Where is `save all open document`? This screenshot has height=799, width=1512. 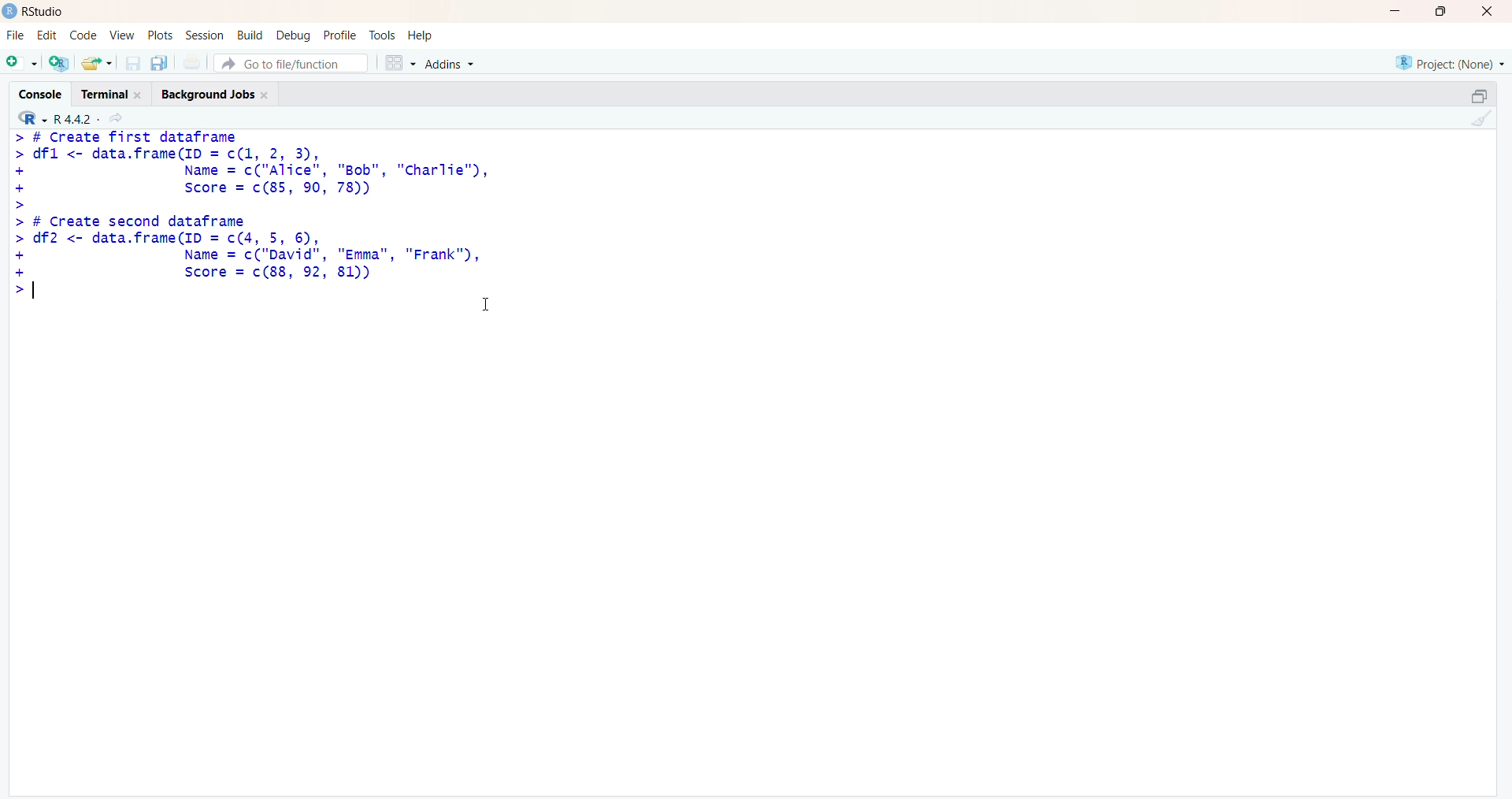 save all open document is located at coordinates (160, 64).